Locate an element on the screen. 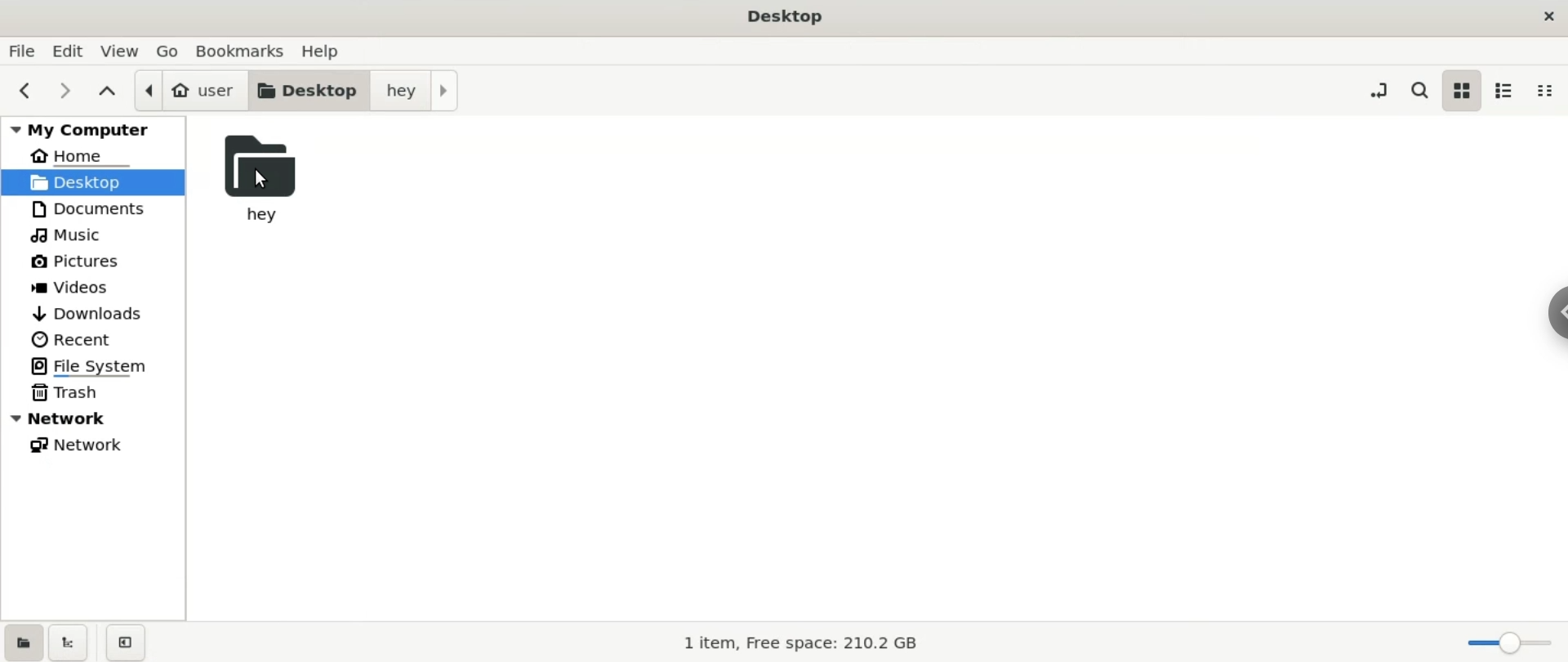 This screenshot has height=662, width=1568. go is located at coordinates (172, 52).